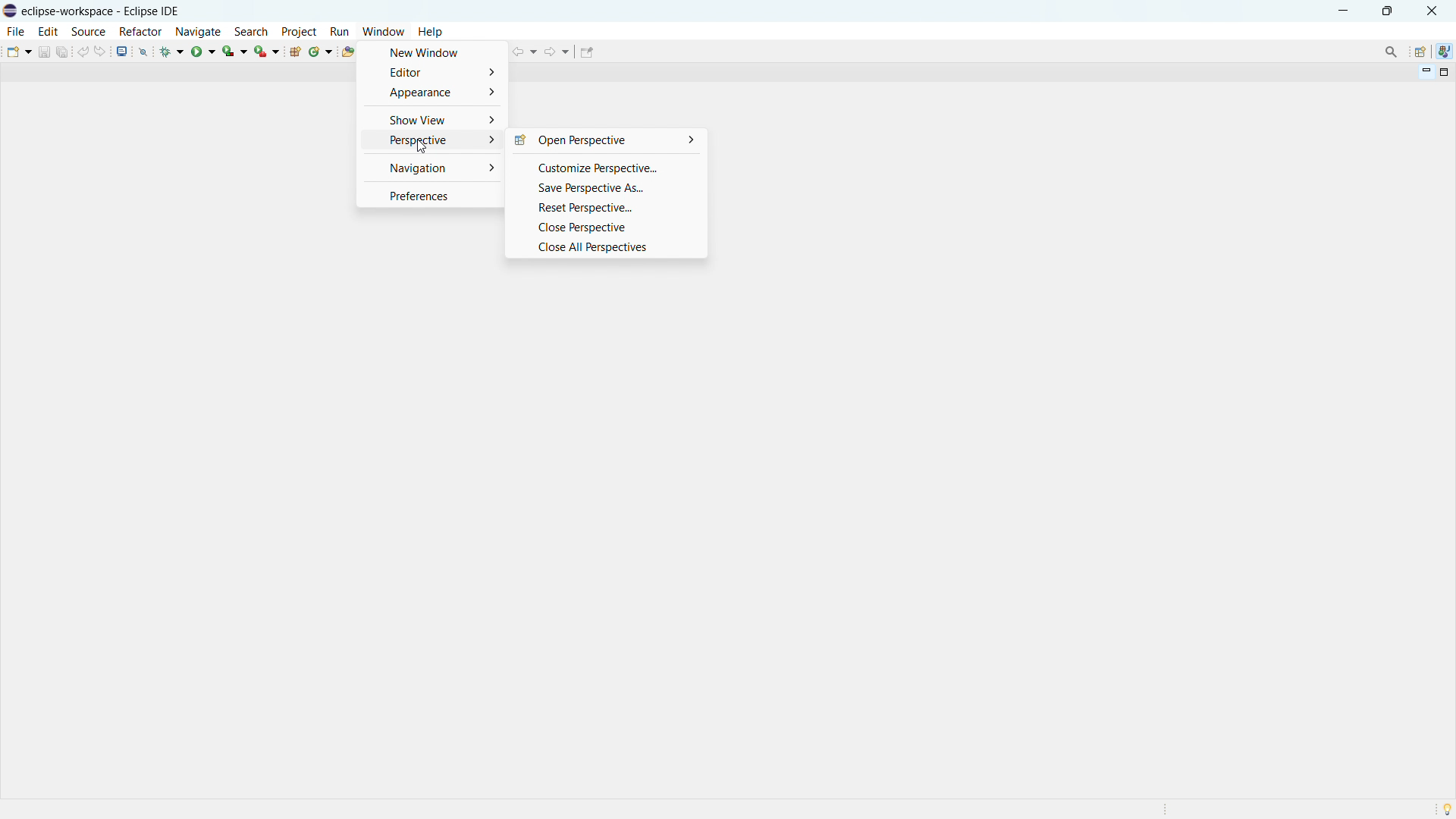 This screenshot has width=1456, height=819. What do you see at coordinates (122, 51) in the screenshot?
I see `open console` at bounding box center [122, 51].